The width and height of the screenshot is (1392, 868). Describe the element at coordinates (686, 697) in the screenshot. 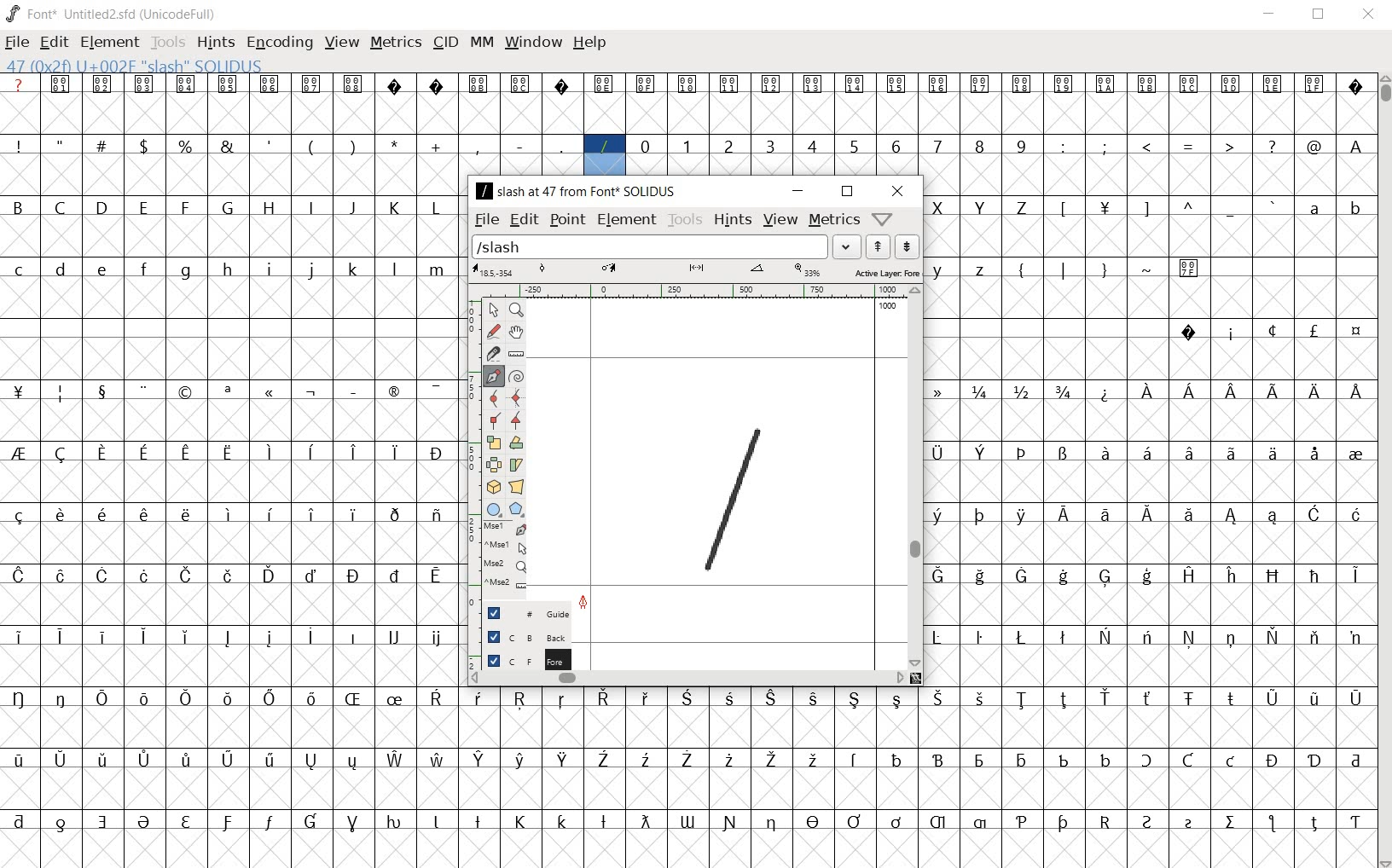

I see `special letters` at that location.